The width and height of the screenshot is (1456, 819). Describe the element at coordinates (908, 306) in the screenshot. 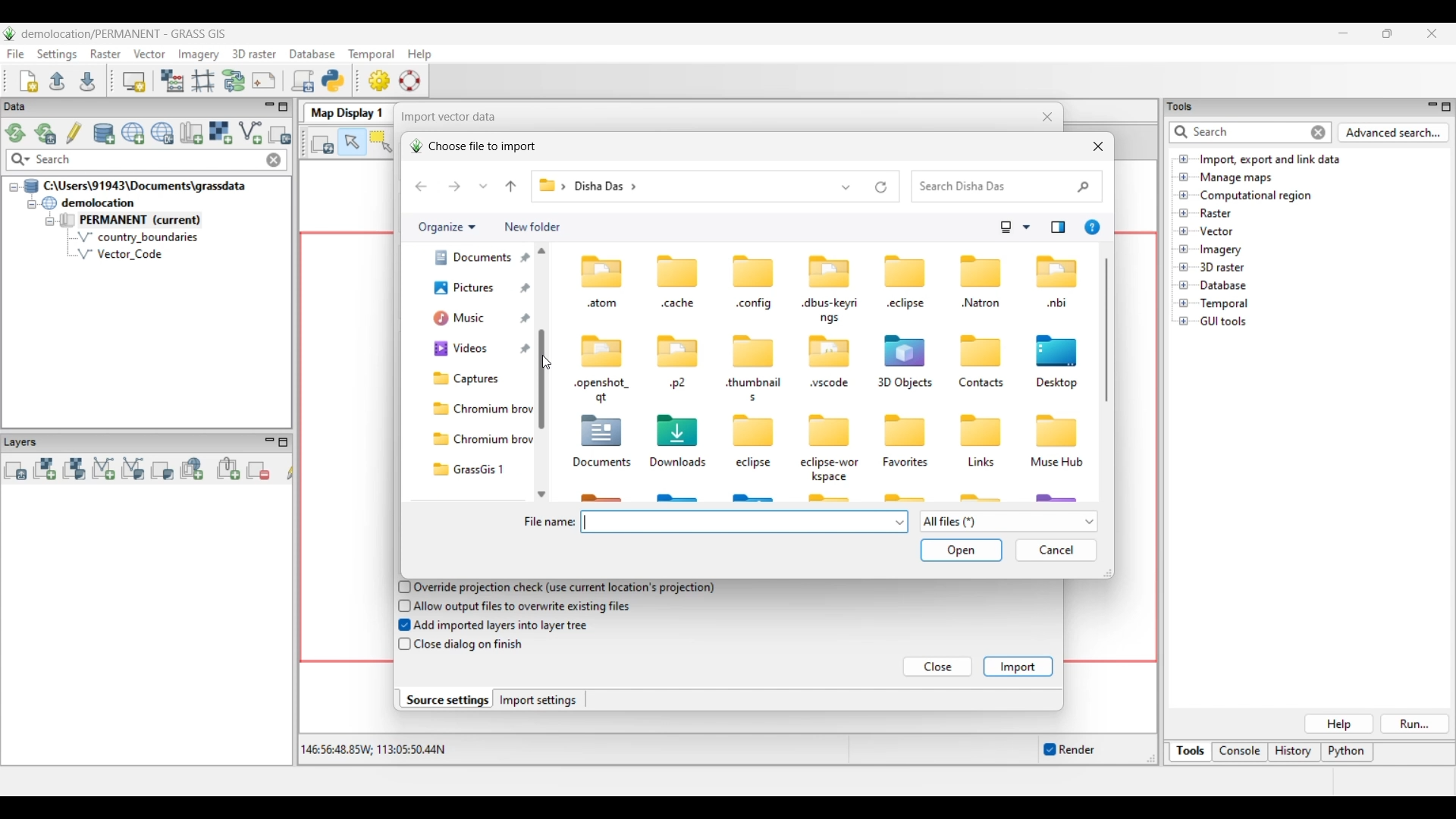

I see `«eclipse` at that location.